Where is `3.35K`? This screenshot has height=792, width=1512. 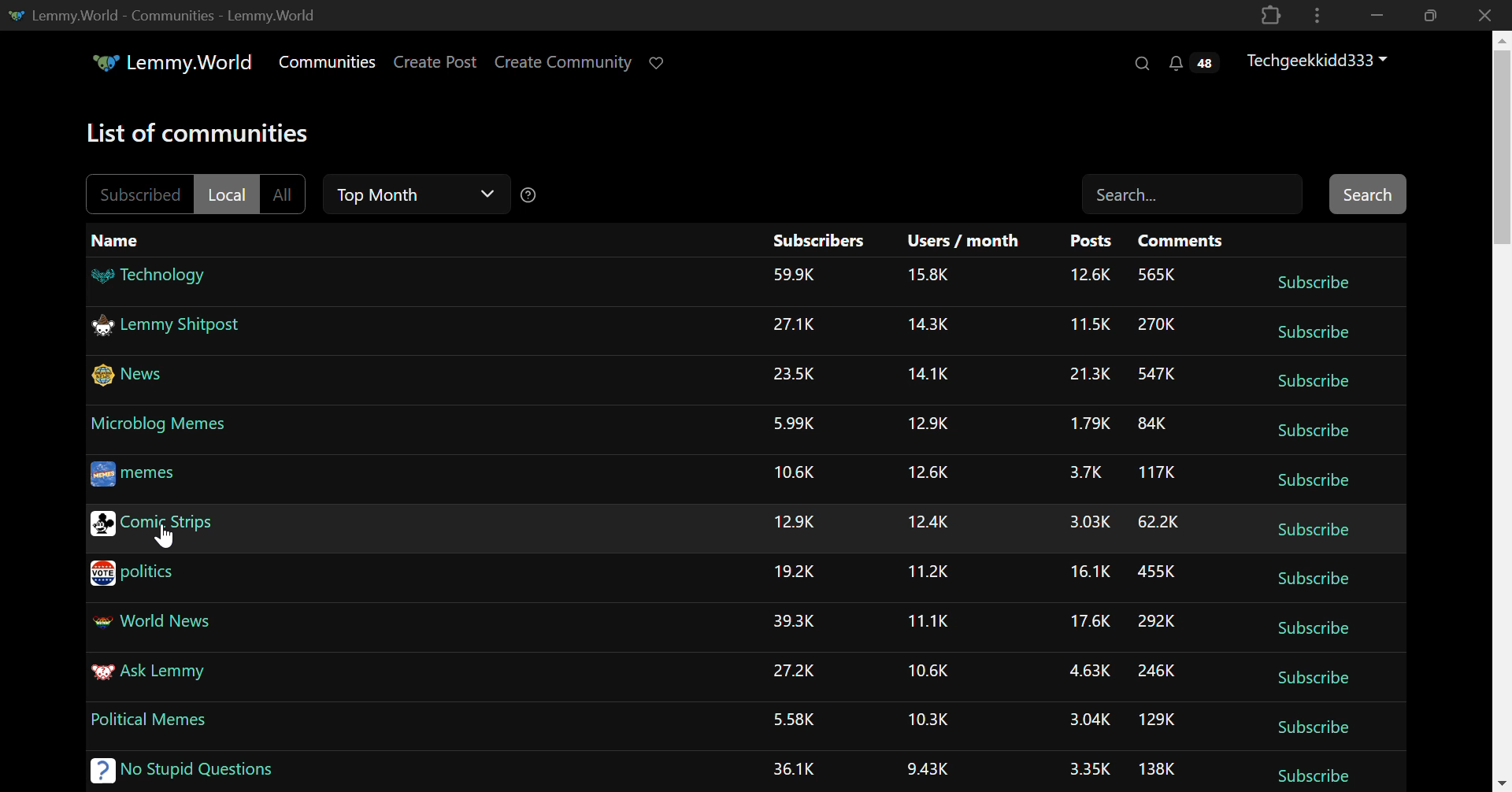 3.35K is located at coordinates (1090, 767).